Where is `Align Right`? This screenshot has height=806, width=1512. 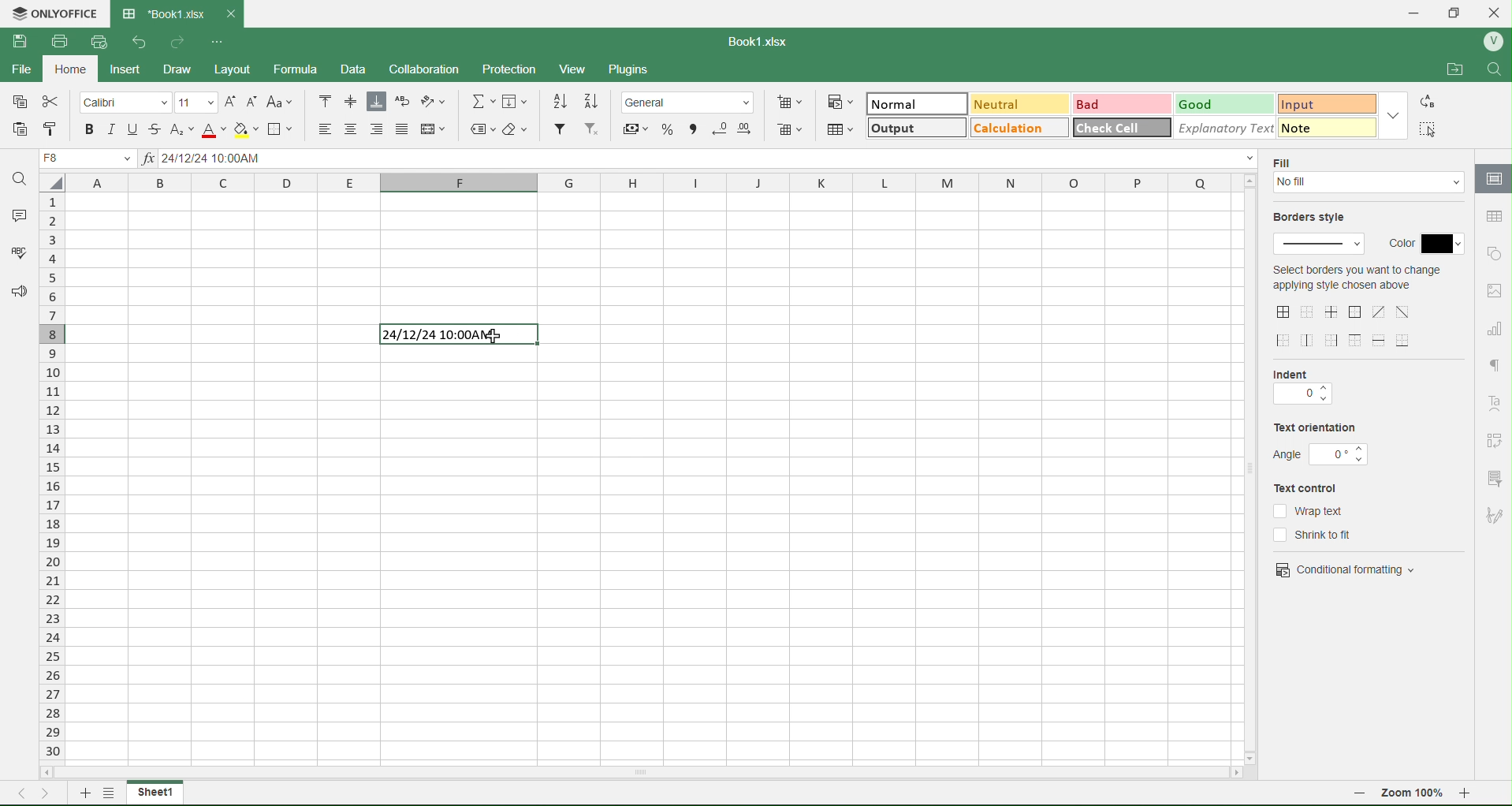
Align Right is located at coordinates (378, 129).